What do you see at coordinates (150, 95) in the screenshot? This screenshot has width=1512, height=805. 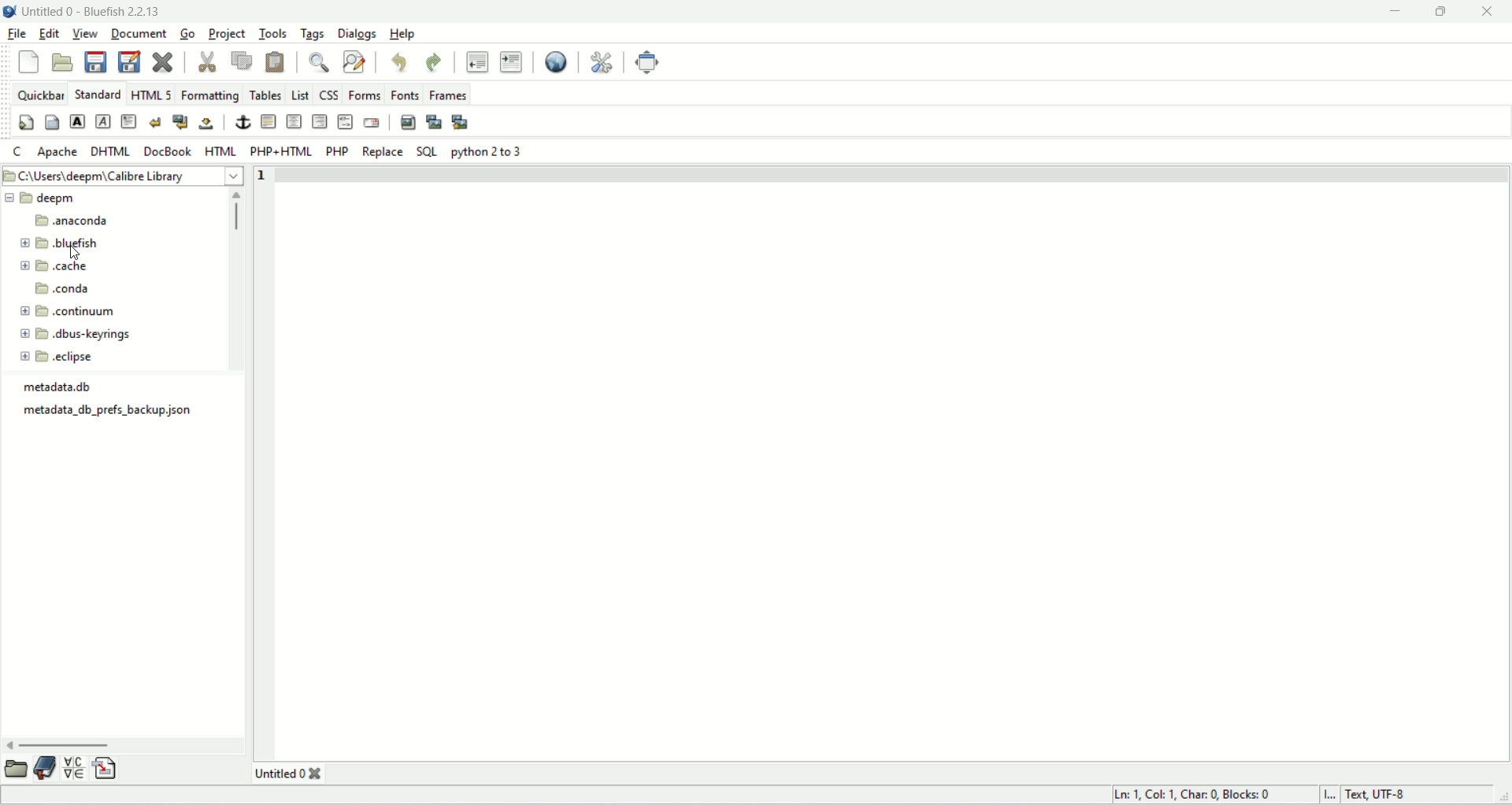 I see `HTML 5` at bounding box center [150, 95].